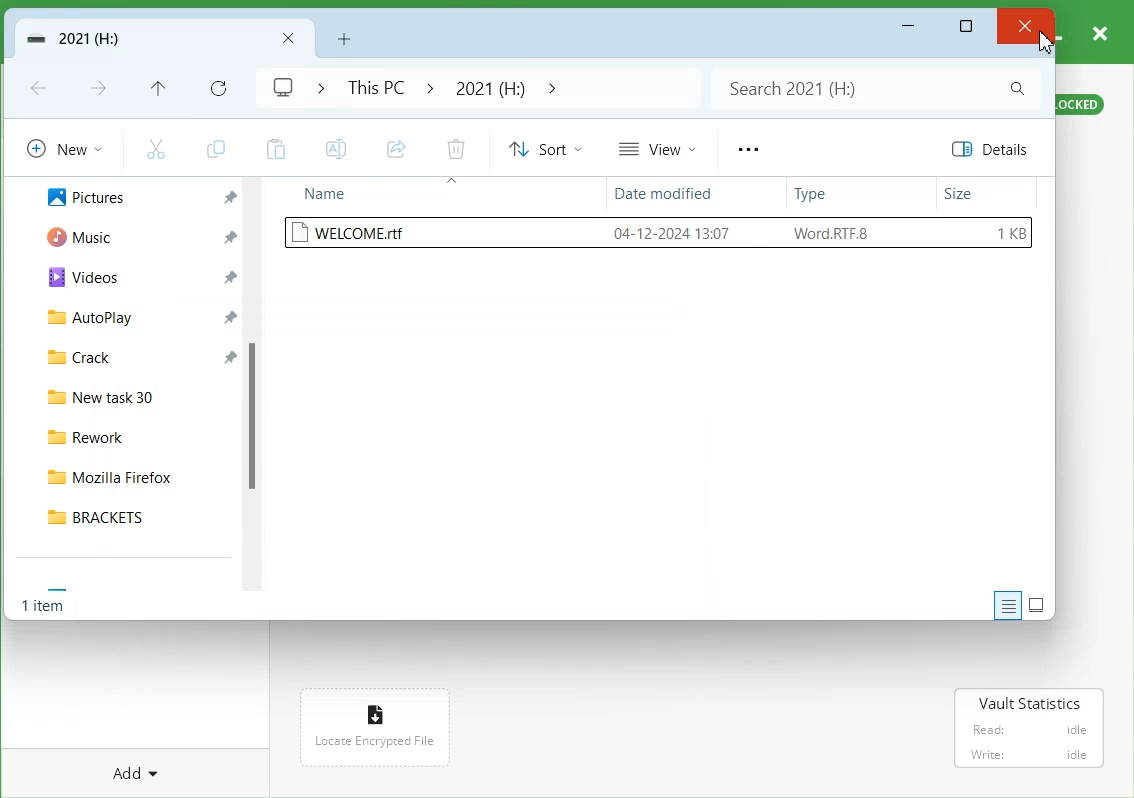 The image size is (1134, 798). Describe the element at coordinates (669, 195) in the screenshot. I see `Date modified` at that location.